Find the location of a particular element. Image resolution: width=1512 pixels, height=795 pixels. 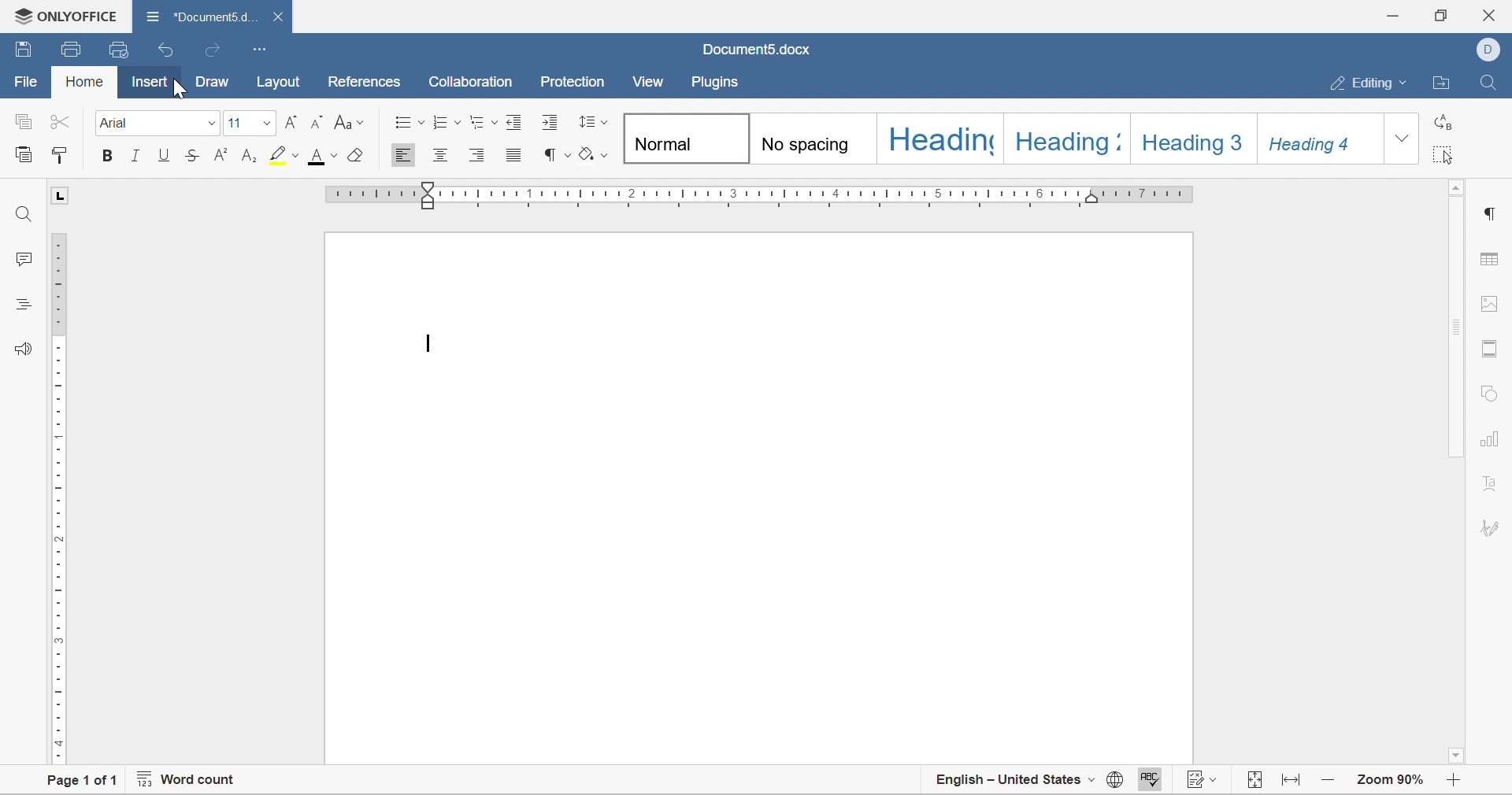

font color is located at coordinates (322, 157).